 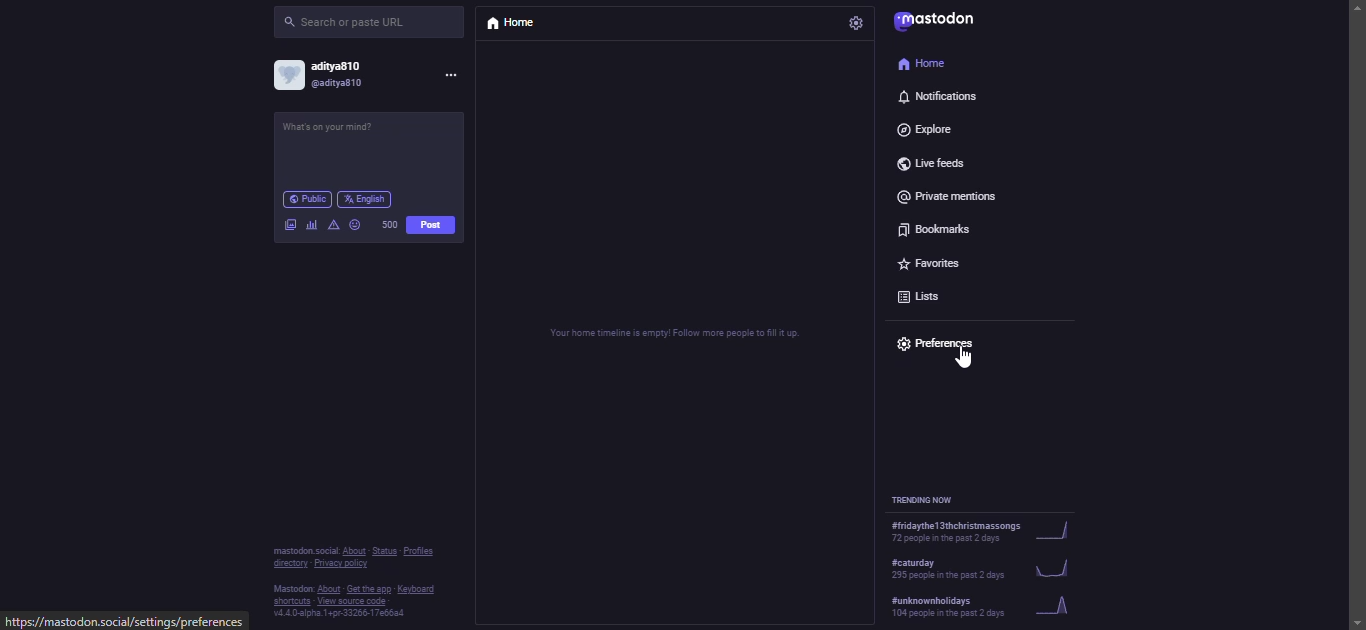 What do you see at coordinates (389, 223) in the screenshot?
I see `500` at bounding box center [389, 223].